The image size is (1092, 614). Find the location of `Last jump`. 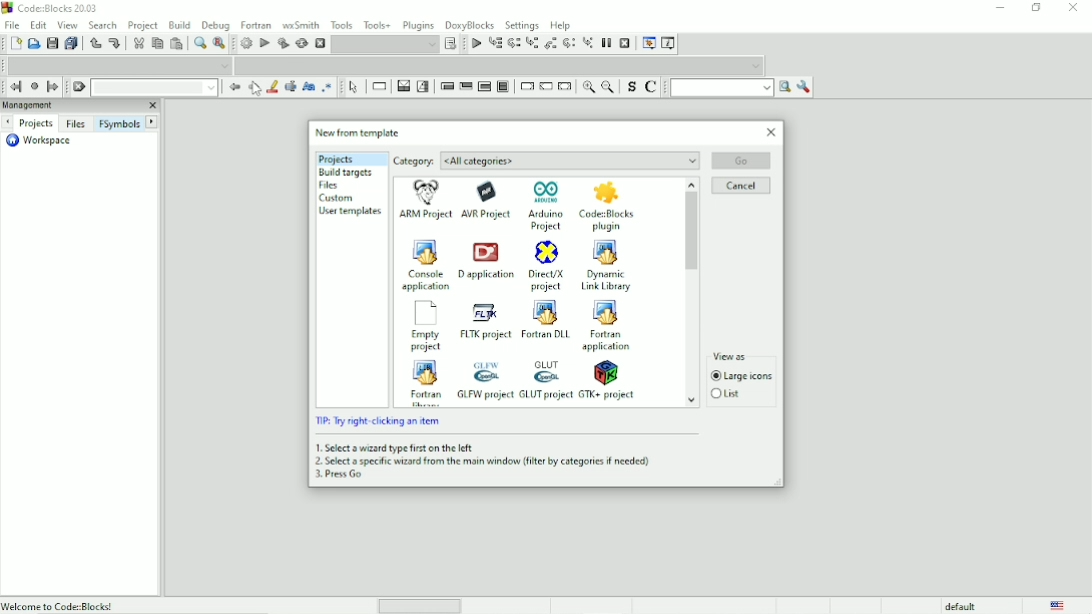

Last jump is located at coordinates (34, 87).